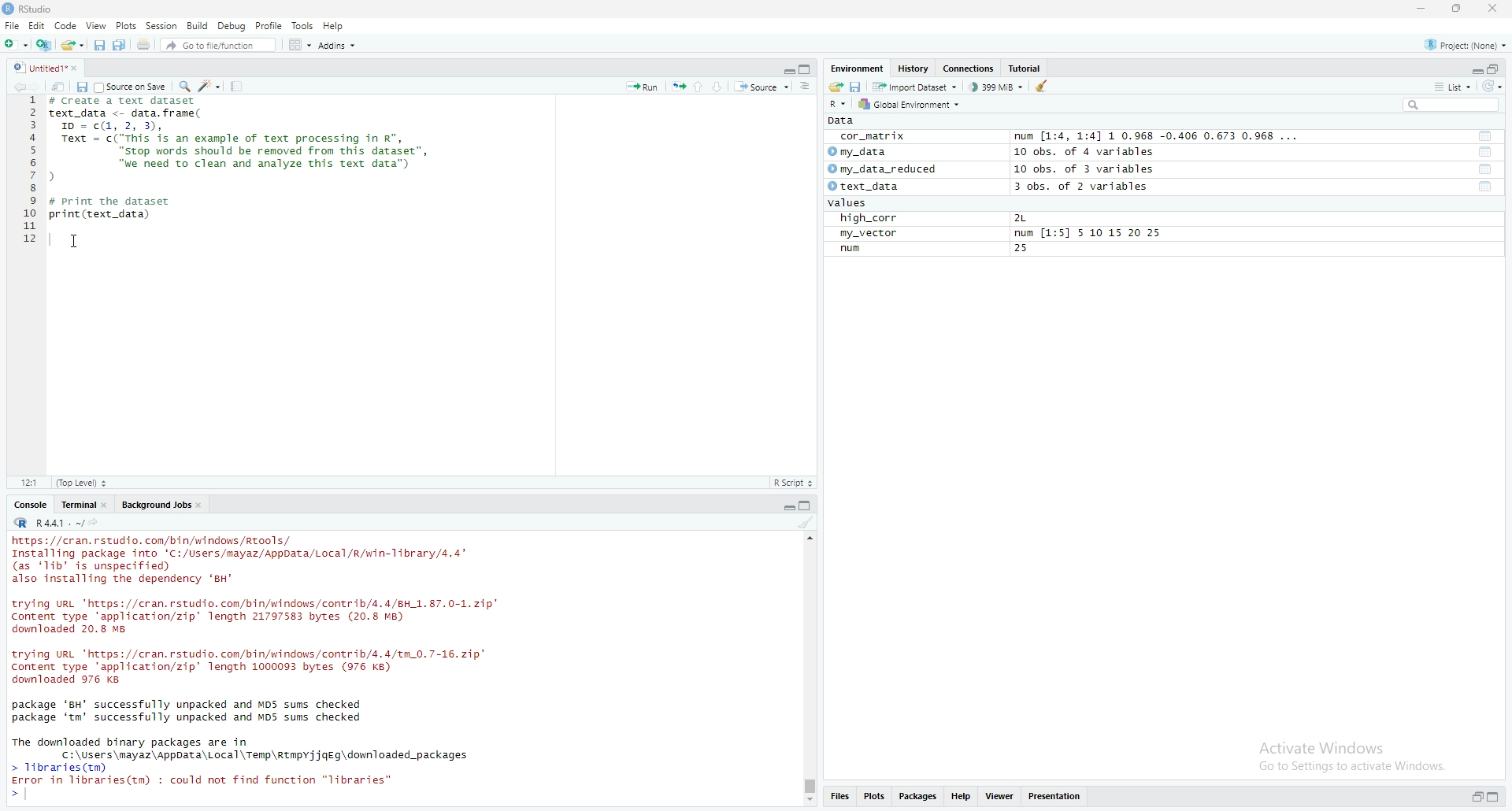 The width and height of the screenshot is (1512, 811). Describe the element at coordinates (244, 161) in the screenshot. I see `data frame code` at that location.